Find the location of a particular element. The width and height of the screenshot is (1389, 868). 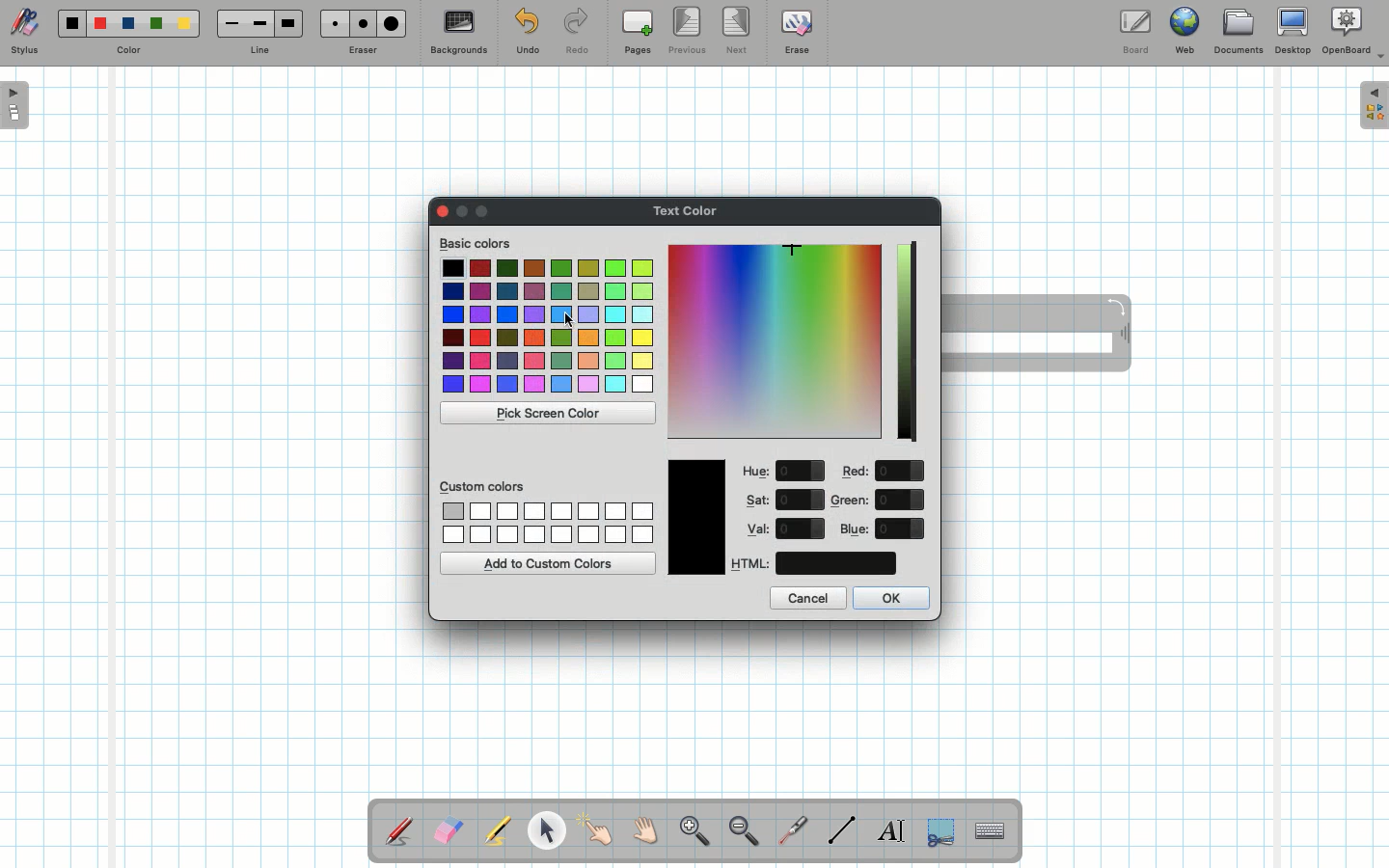

Small line is located at coordinates (229, 24).